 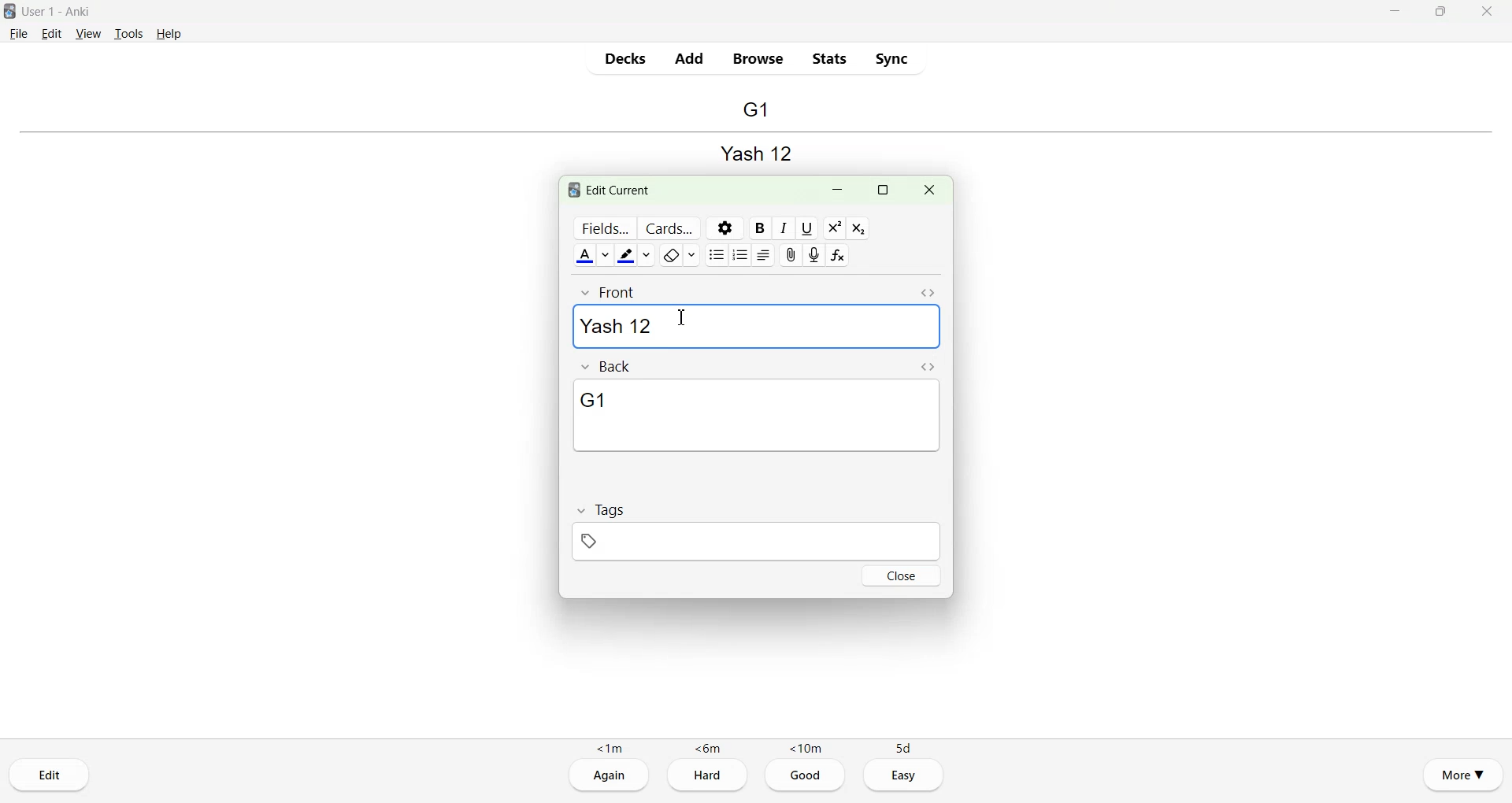 What do you see at coordinates (755, 110) in the screenshot?
I see `Back file name` at bounding box center [755, 110].